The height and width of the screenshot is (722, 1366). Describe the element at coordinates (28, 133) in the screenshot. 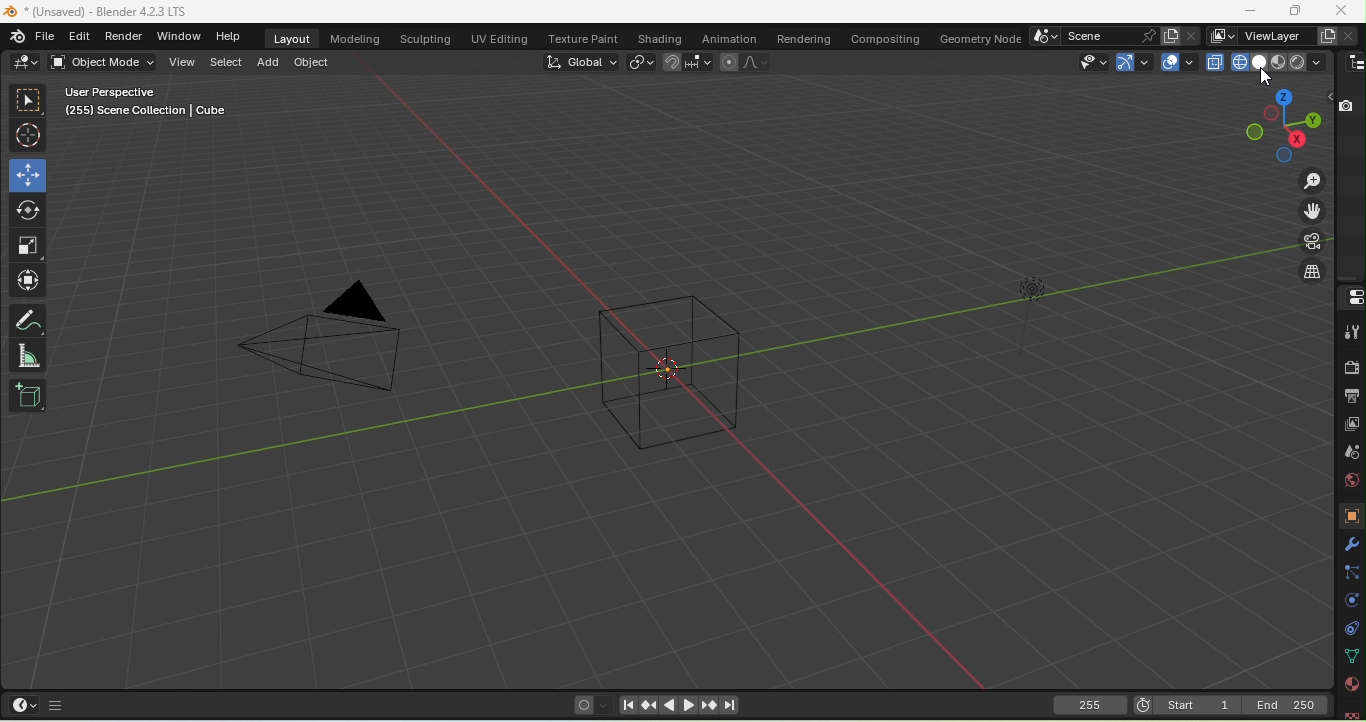

I see `Cursor` at that location.